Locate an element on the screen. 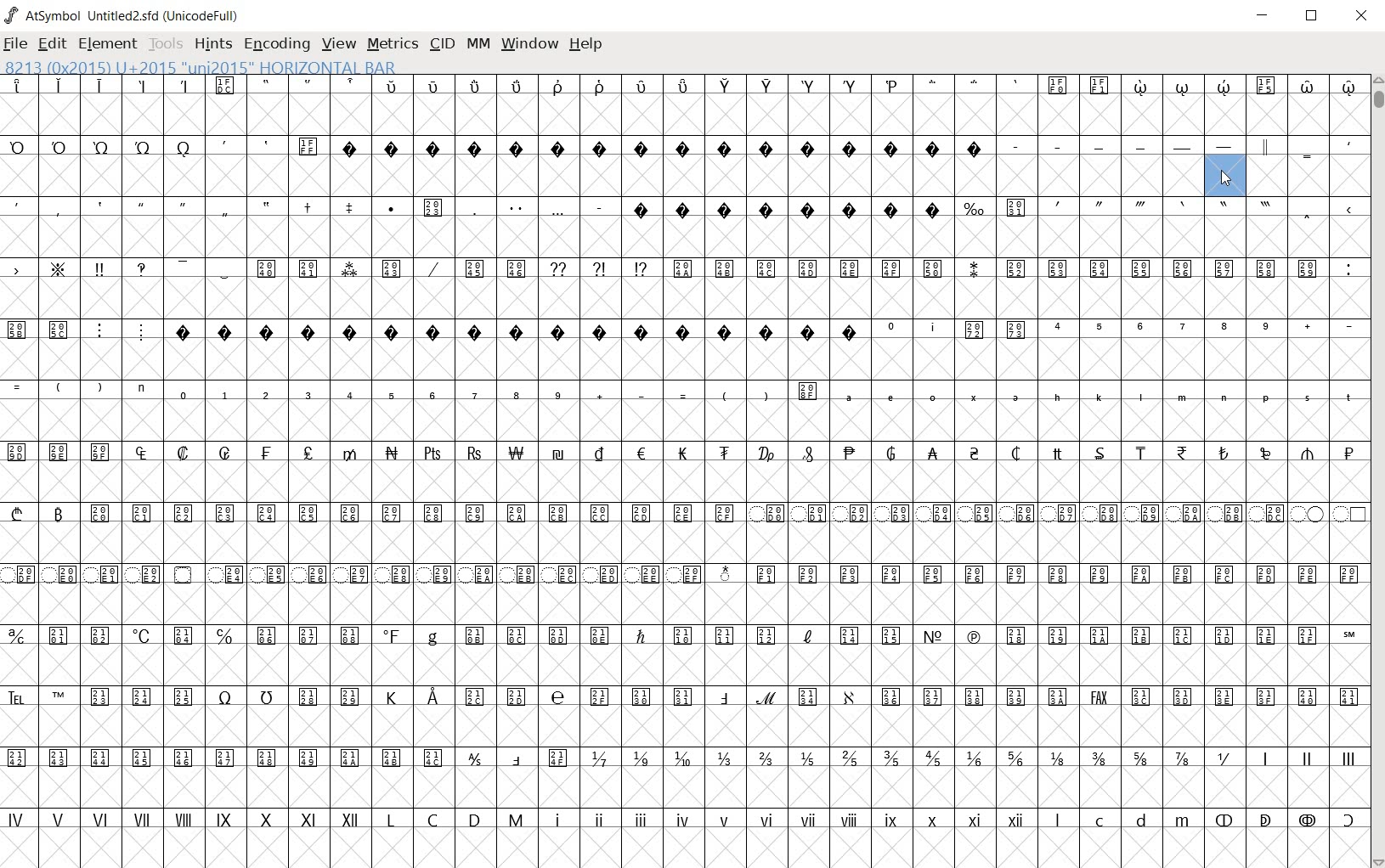  WINDOW is located at coordinates (531, 43).